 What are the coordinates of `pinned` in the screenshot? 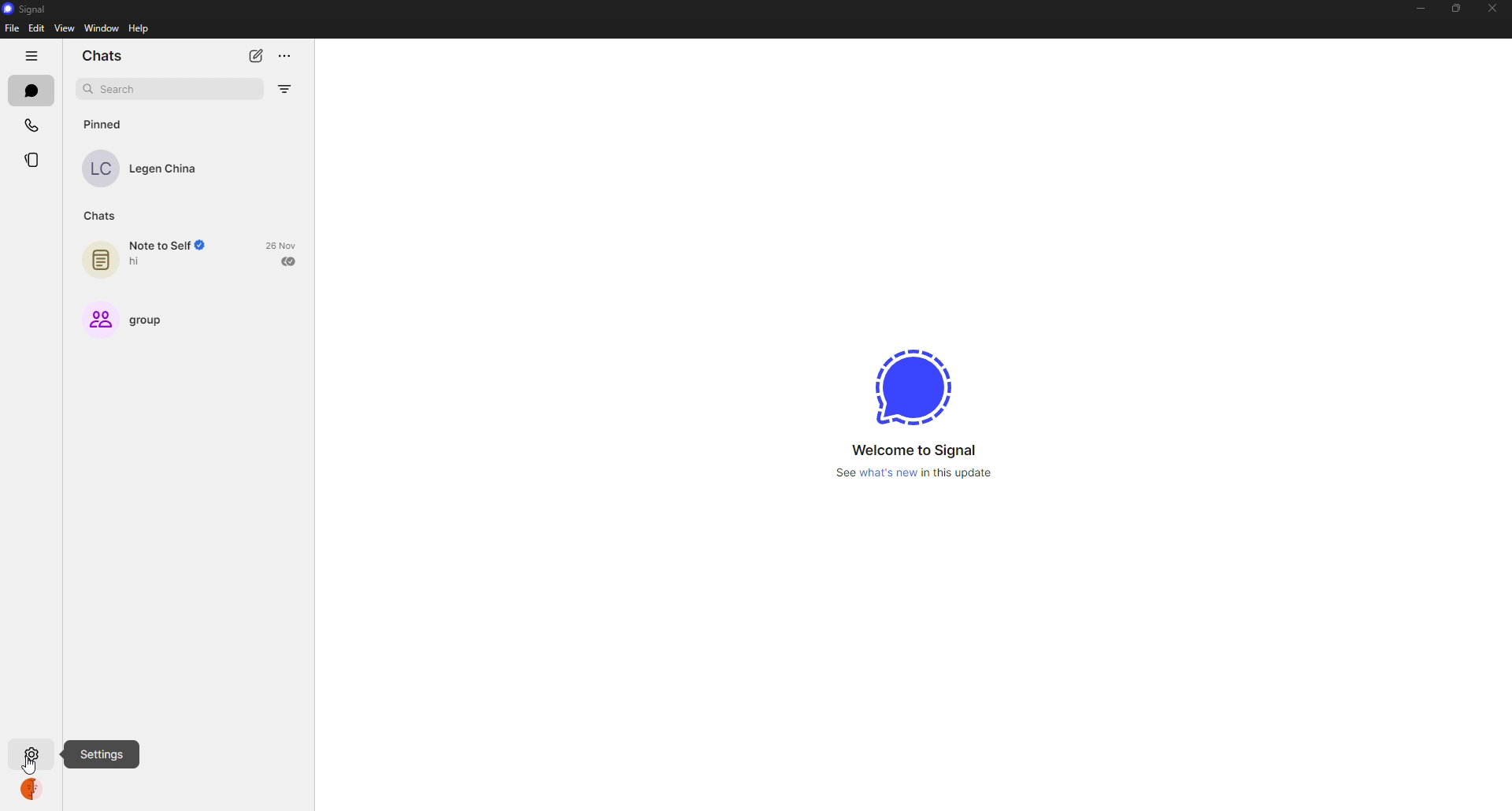 It's located at (102, 124).